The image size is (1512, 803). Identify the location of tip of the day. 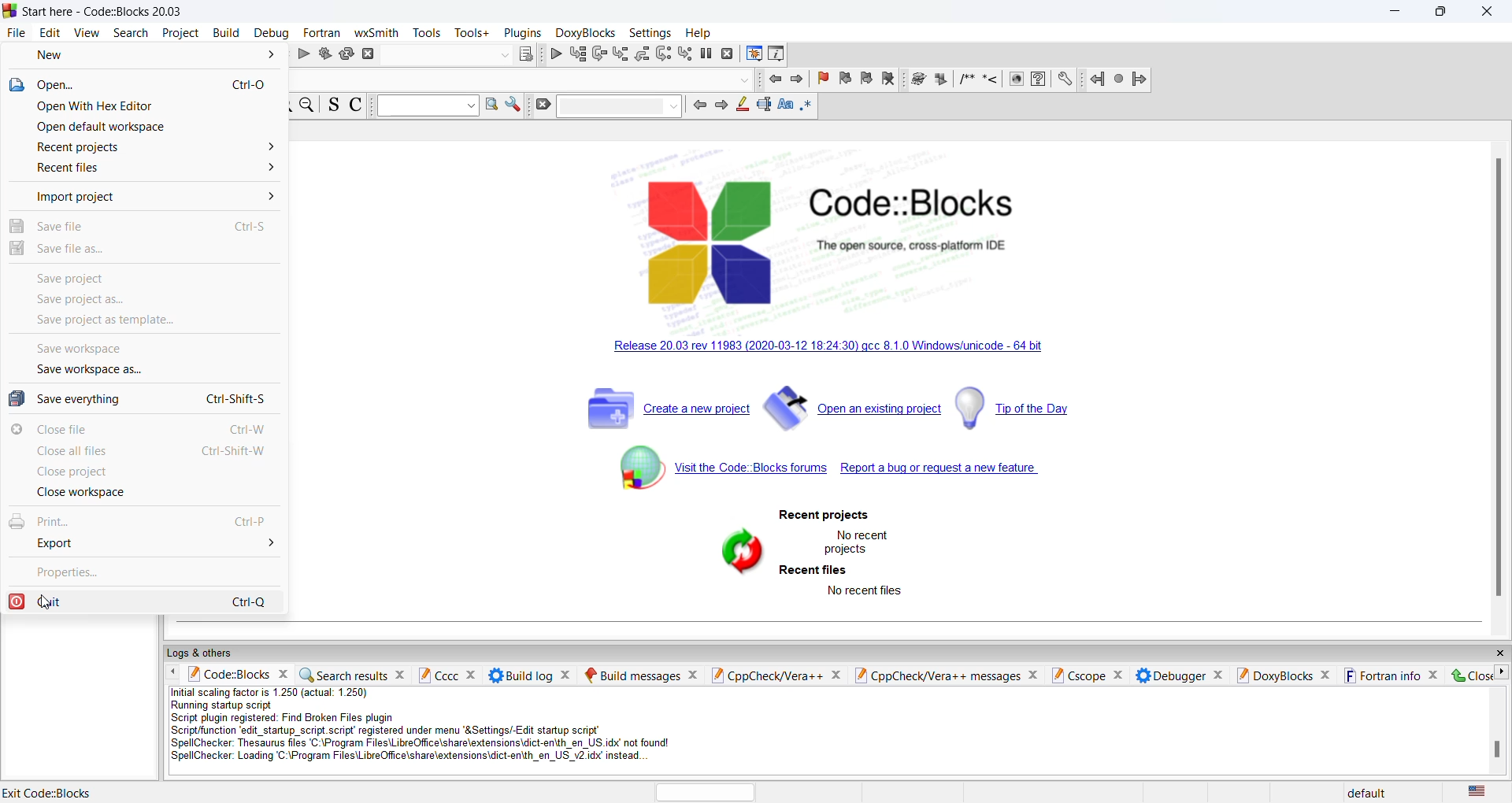
(1022, 407).